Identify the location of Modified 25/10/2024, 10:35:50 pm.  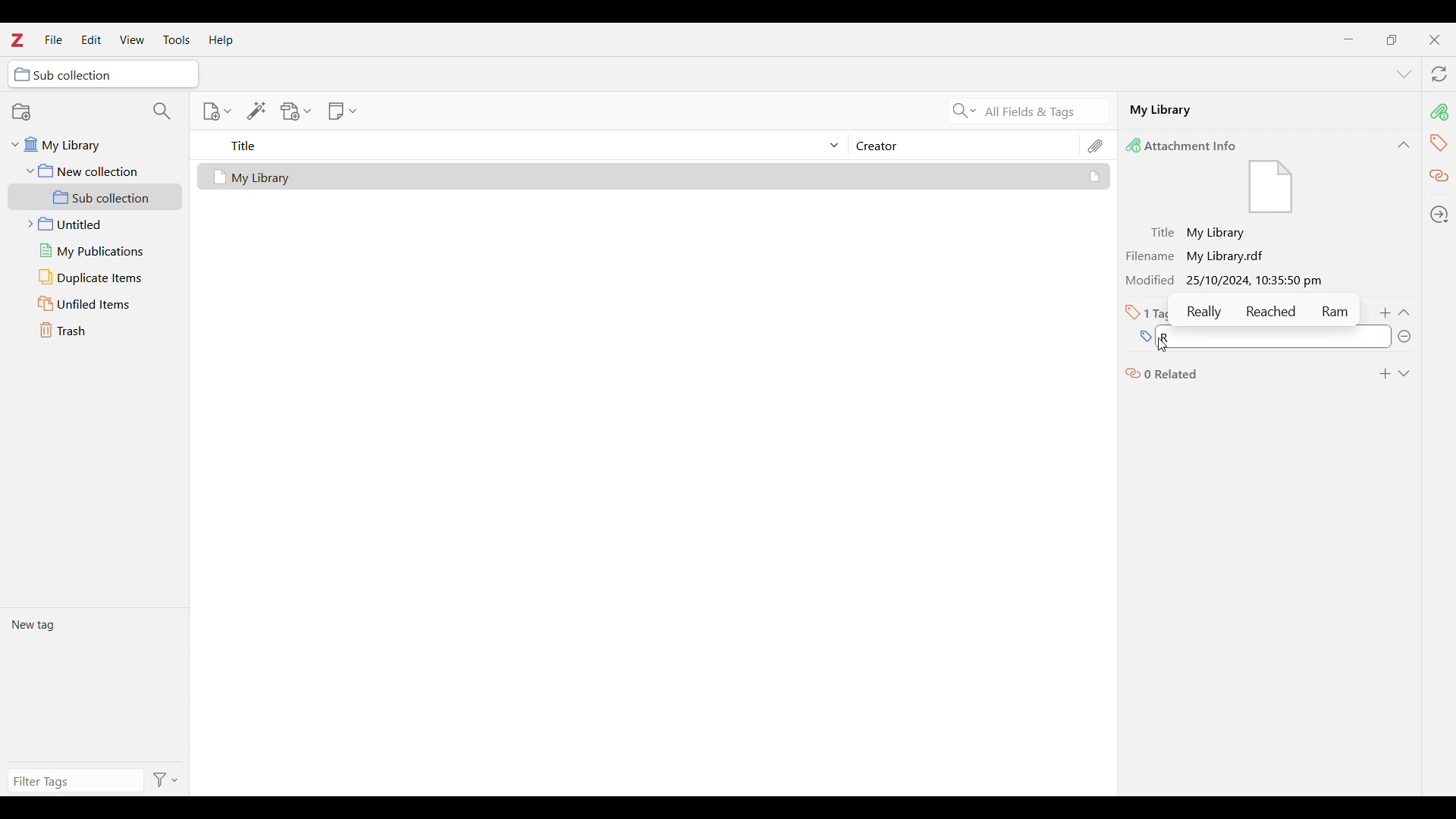
(1228, 281).